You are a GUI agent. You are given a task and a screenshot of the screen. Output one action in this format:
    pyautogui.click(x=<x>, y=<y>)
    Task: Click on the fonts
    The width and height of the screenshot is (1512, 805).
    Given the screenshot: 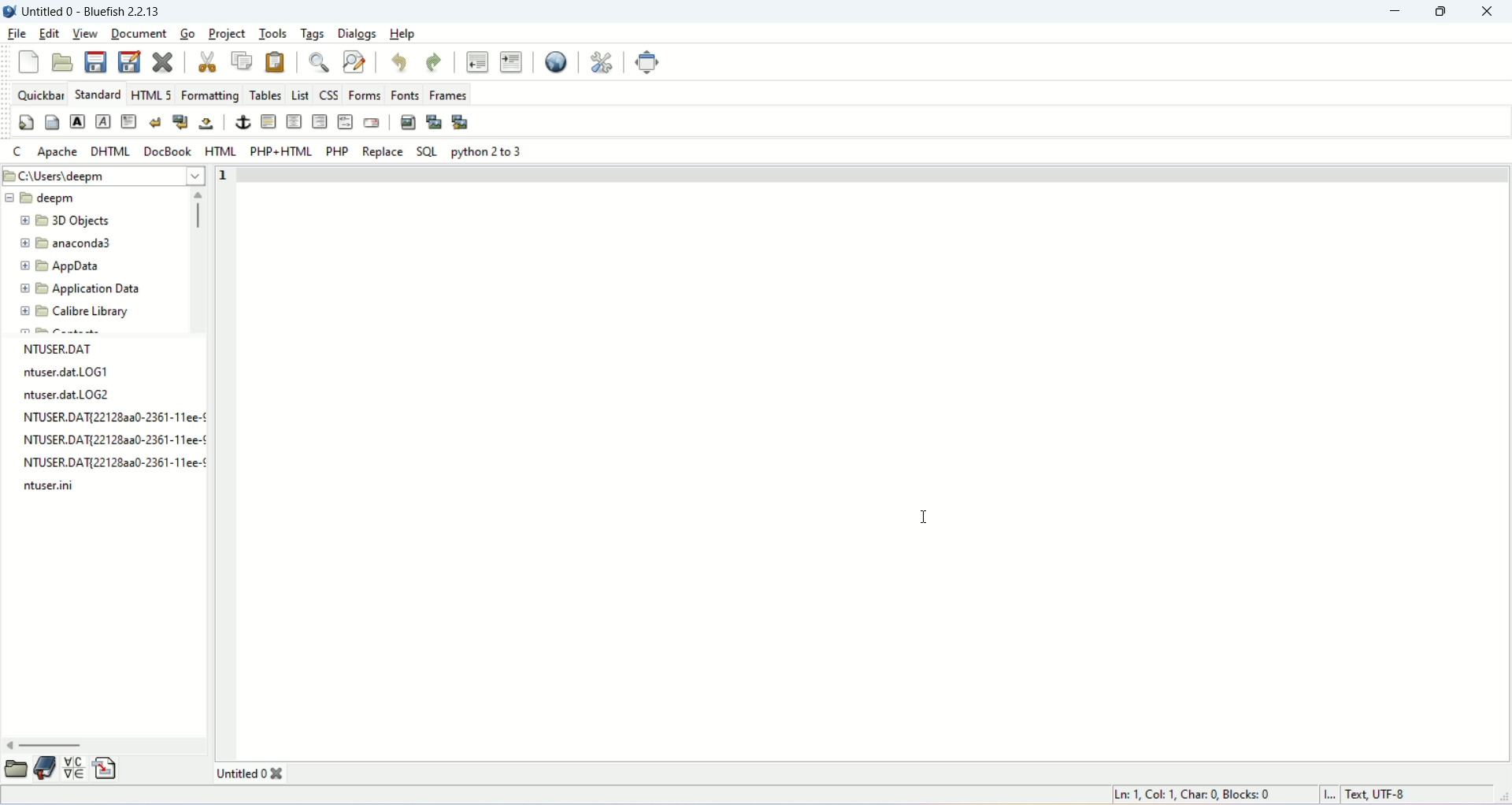 What is the action you would take?
    pyautogui.click(x=406, y=95)
    